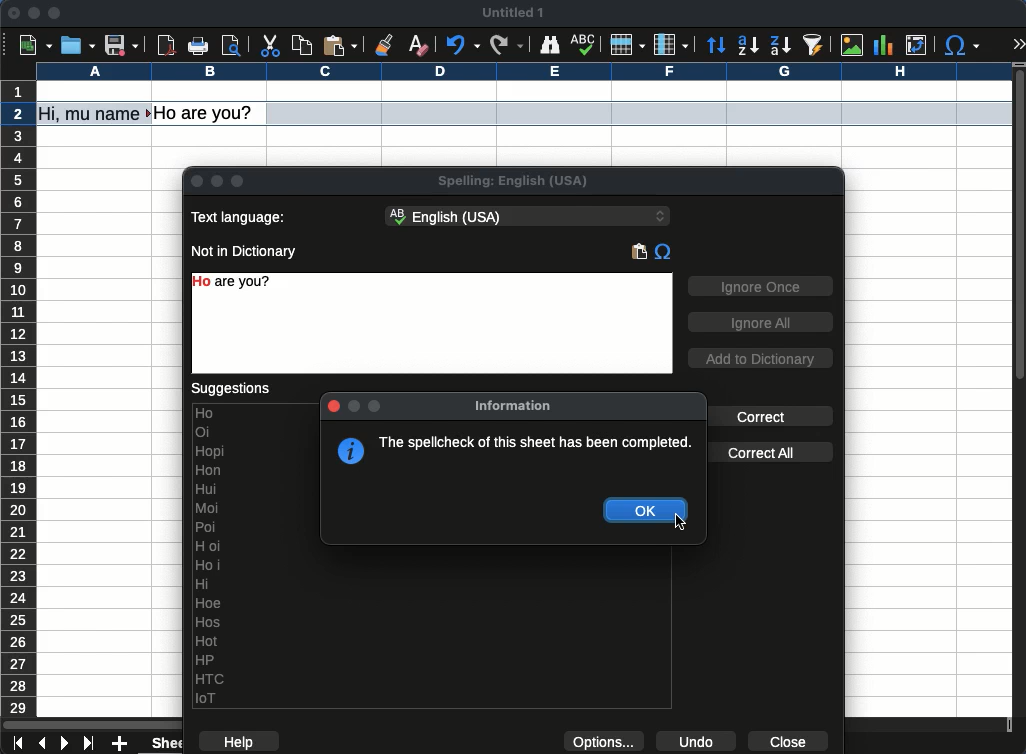 The height and width of the screenshot is (754, 1026). What do you see at coordinates (240, 742) in the screenshot?
I see `help` at bounding box center [240, 742].